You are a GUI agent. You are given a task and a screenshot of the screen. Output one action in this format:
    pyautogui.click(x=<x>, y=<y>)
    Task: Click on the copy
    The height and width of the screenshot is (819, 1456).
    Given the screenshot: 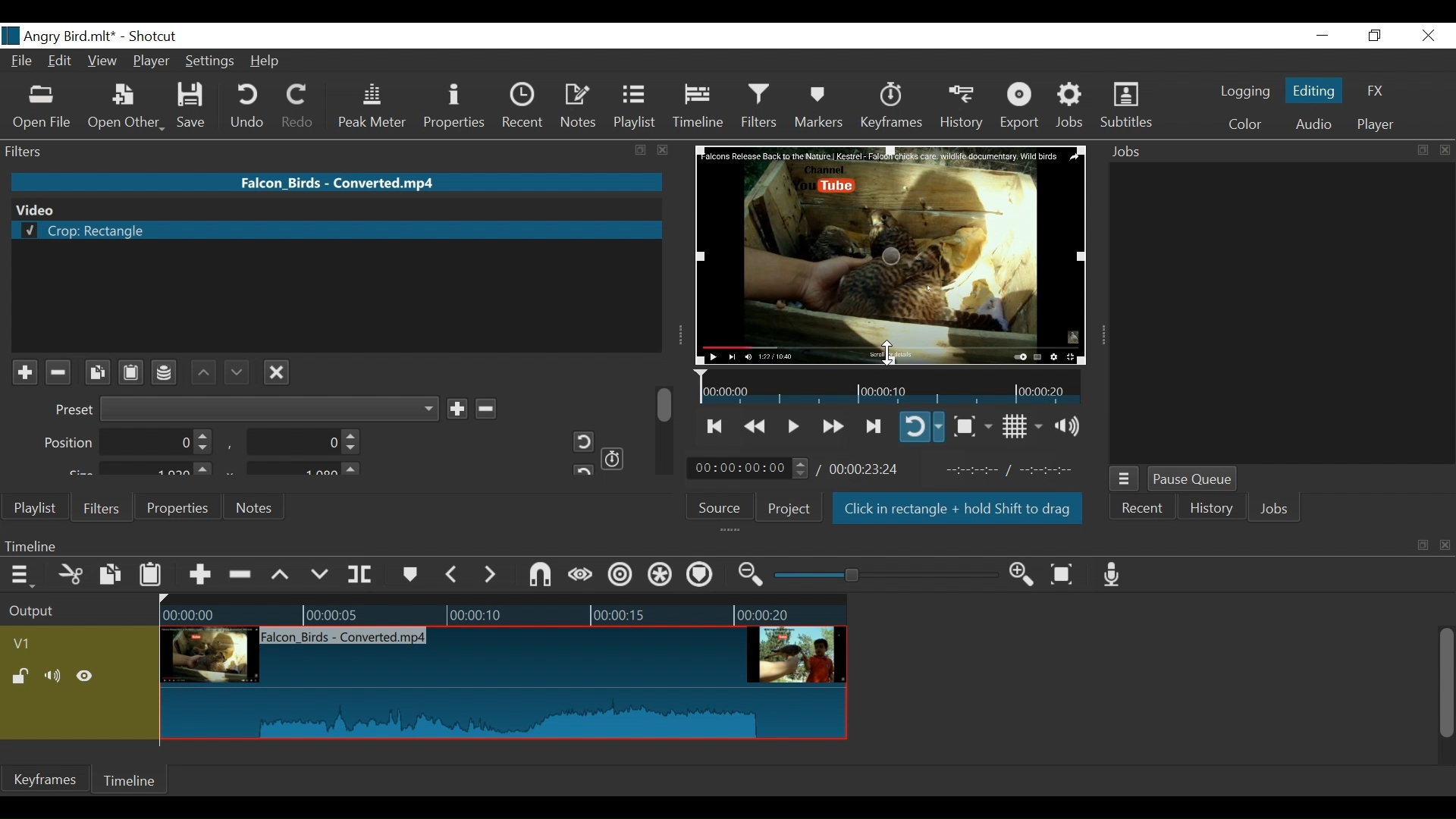 What is the action you would take?
    pyautogui.click(x=1421, y=150)
    